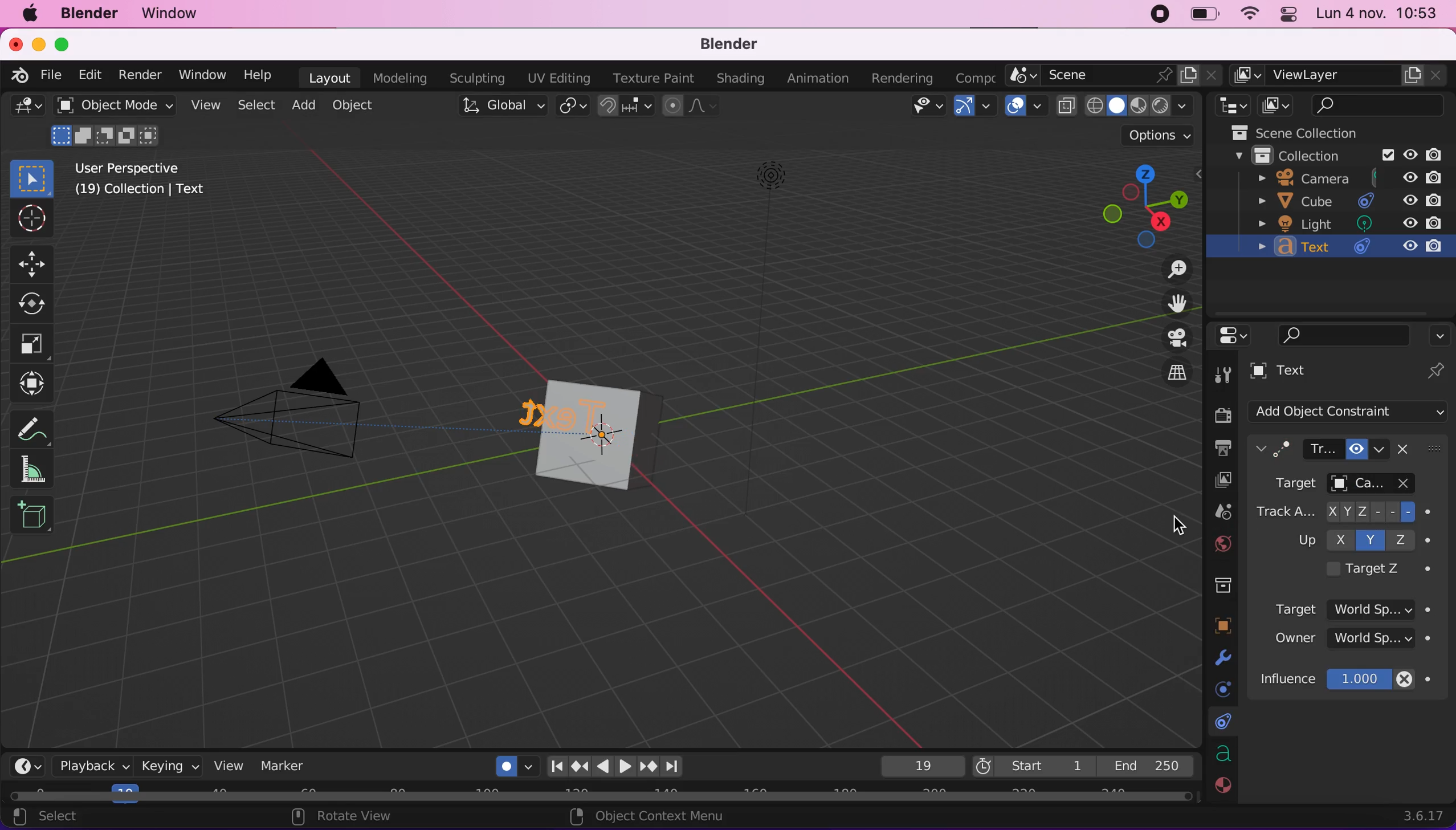 This screenshot has width=1456, height=830. Describe the element at coordinates (972, 76) in the screenshot. I see `` at that location.